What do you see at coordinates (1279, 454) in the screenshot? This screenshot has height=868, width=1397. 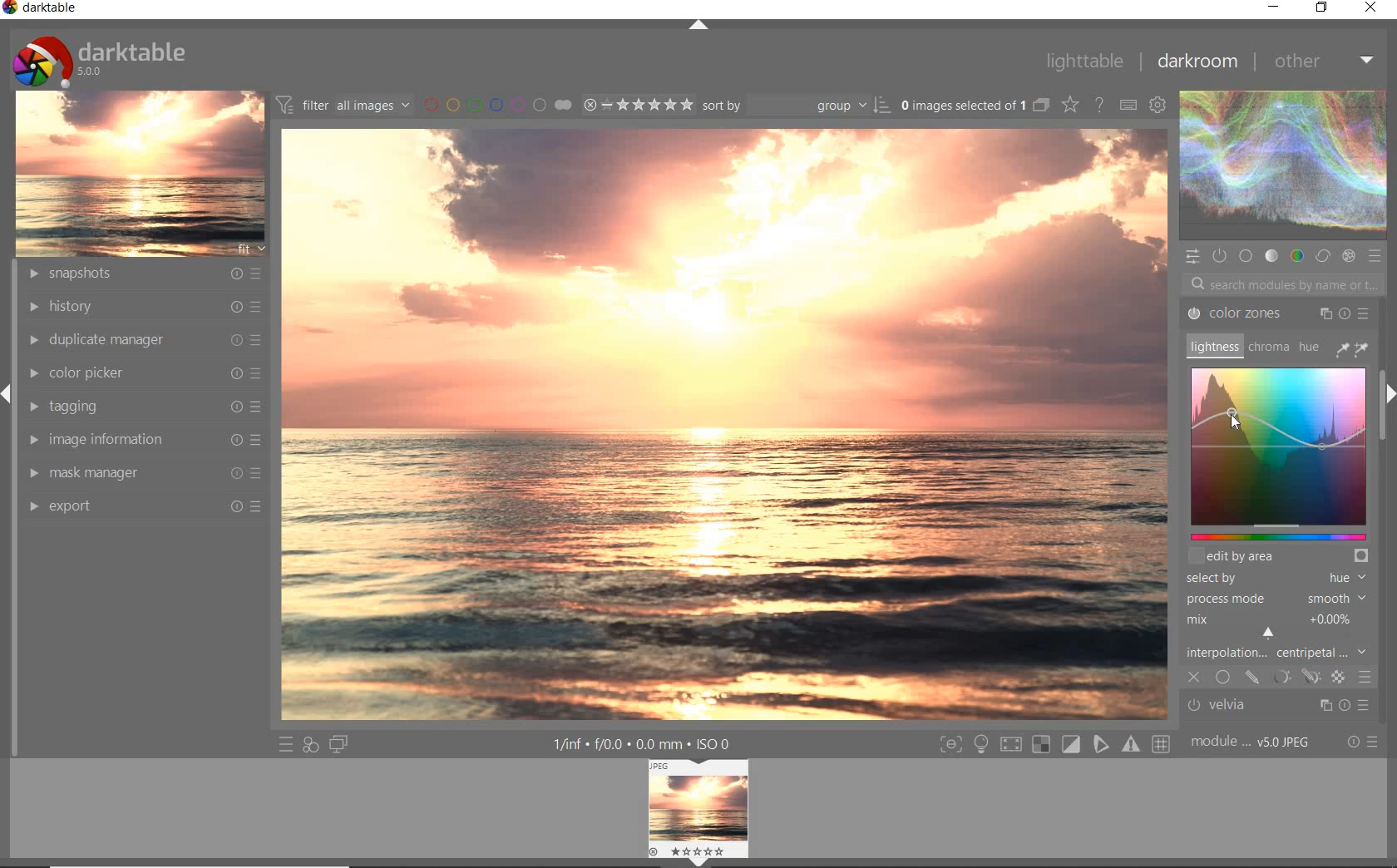 I see `COLOR ZONES MAP` at bounding box center [1279, 454].